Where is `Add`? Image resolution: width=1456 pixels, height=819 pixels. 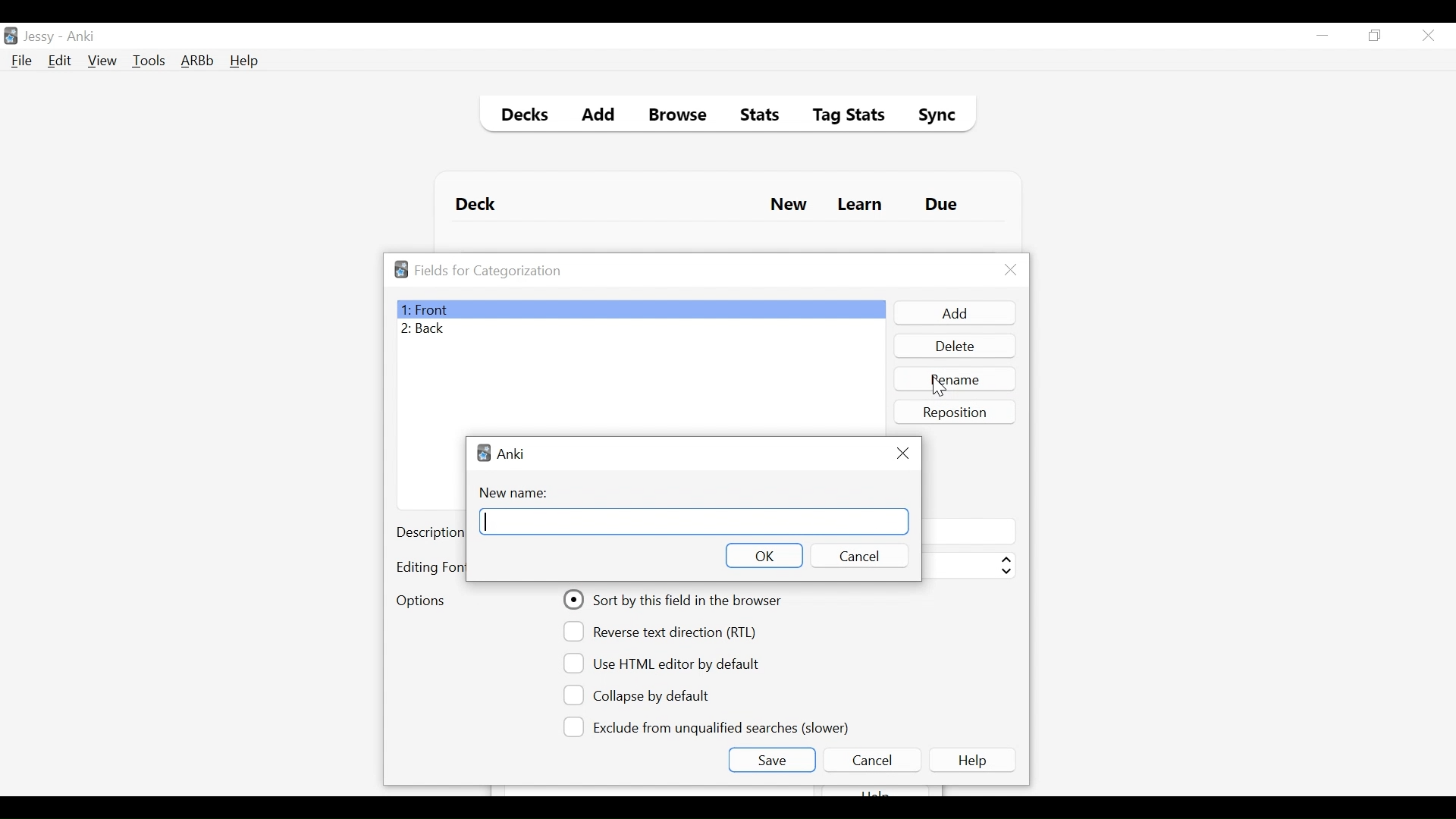
Add is located at coordinates (953, 313).